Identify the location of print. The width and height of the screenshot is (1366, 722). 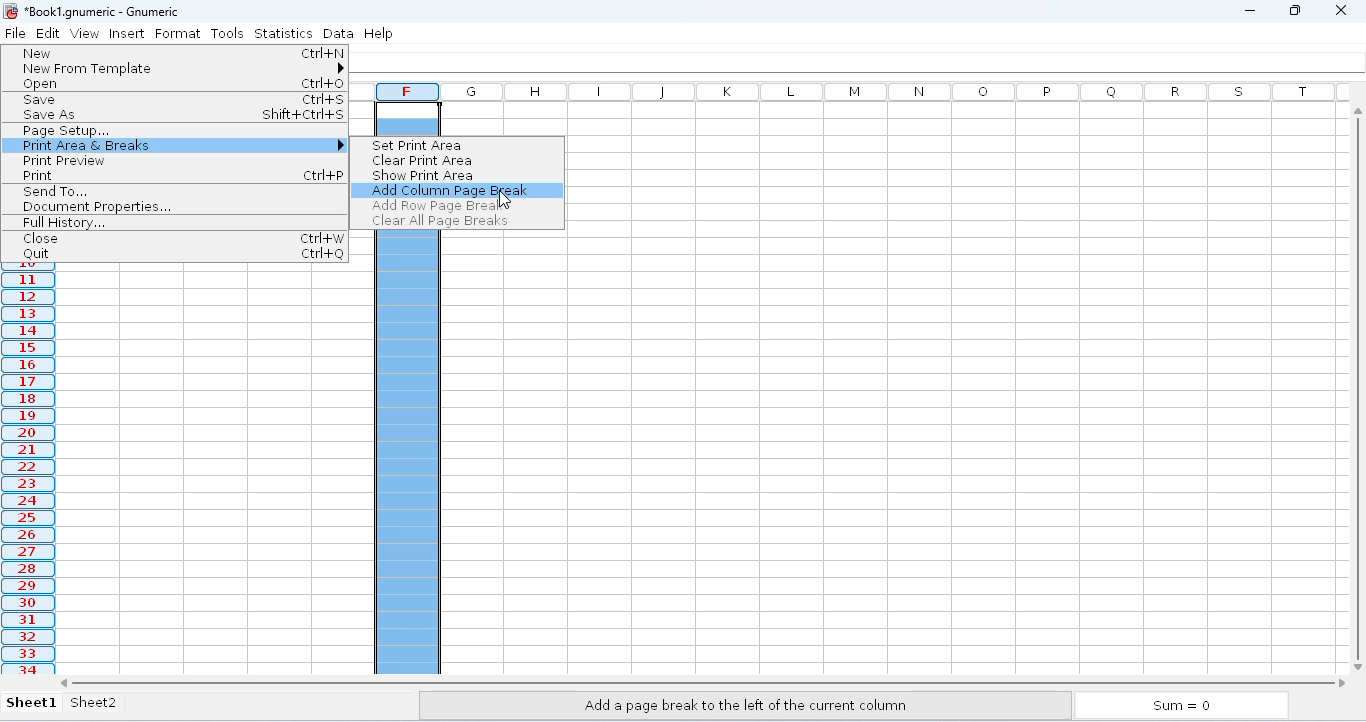
(39, 175).